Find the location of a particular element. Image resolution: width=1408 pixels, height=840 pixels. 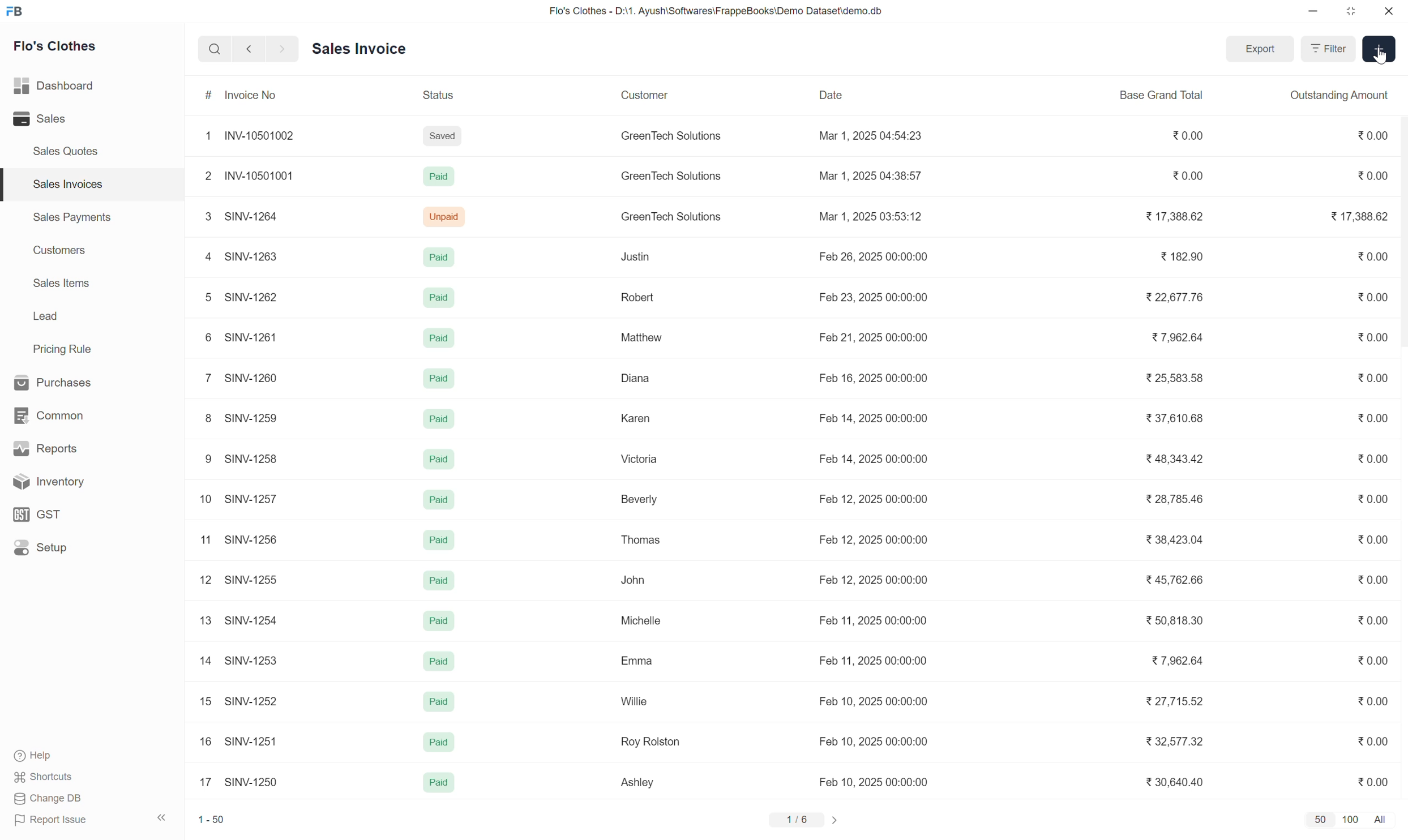

SINV-1260 is located at coordinates (256, 380).